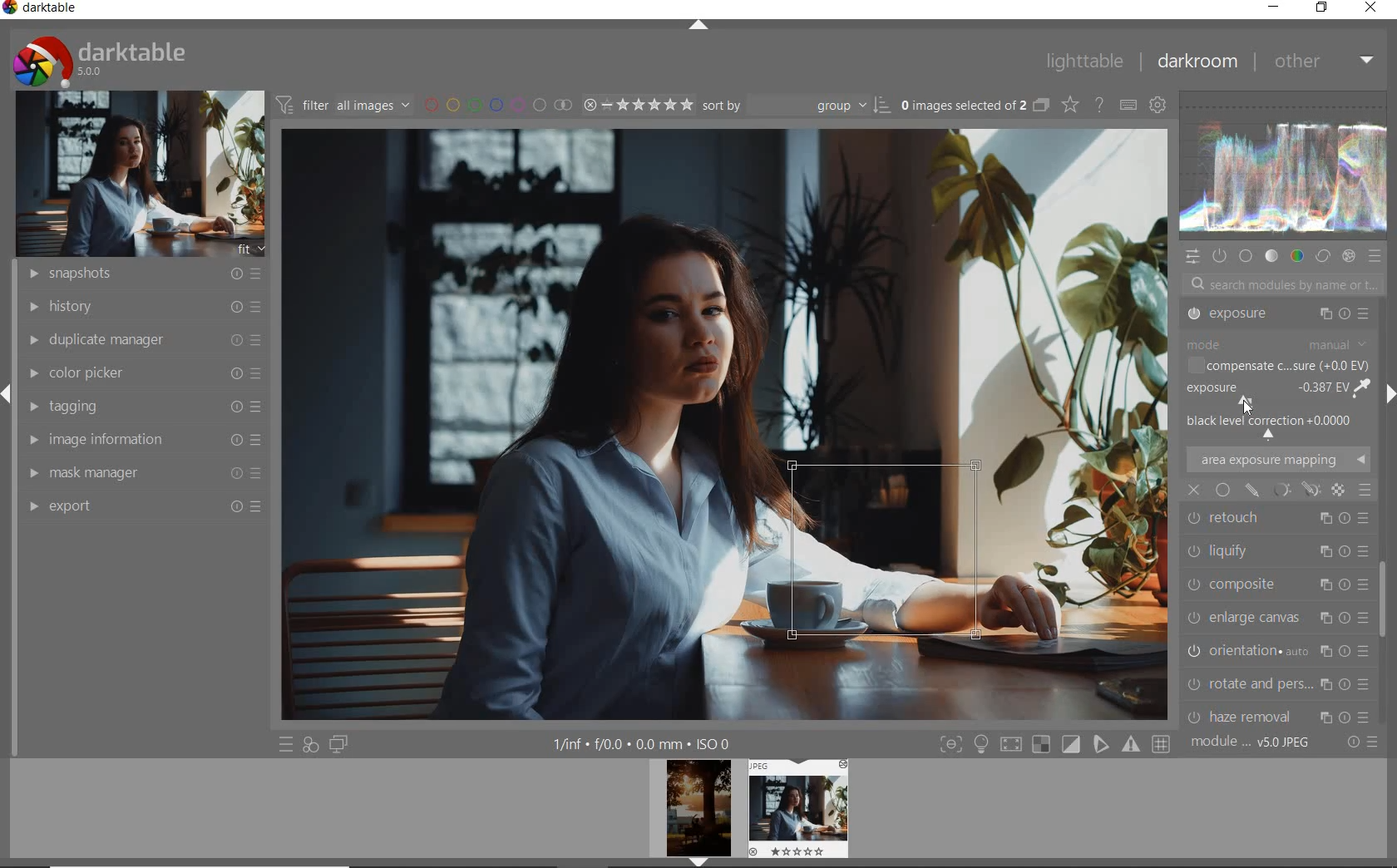 This screenshot has height=868, width=1397. What do you see at coordinates (1159, 105) in the screenshot?
I see `SHOW GLOBAL PREFERENCE` at bounding box center [1159, 105].